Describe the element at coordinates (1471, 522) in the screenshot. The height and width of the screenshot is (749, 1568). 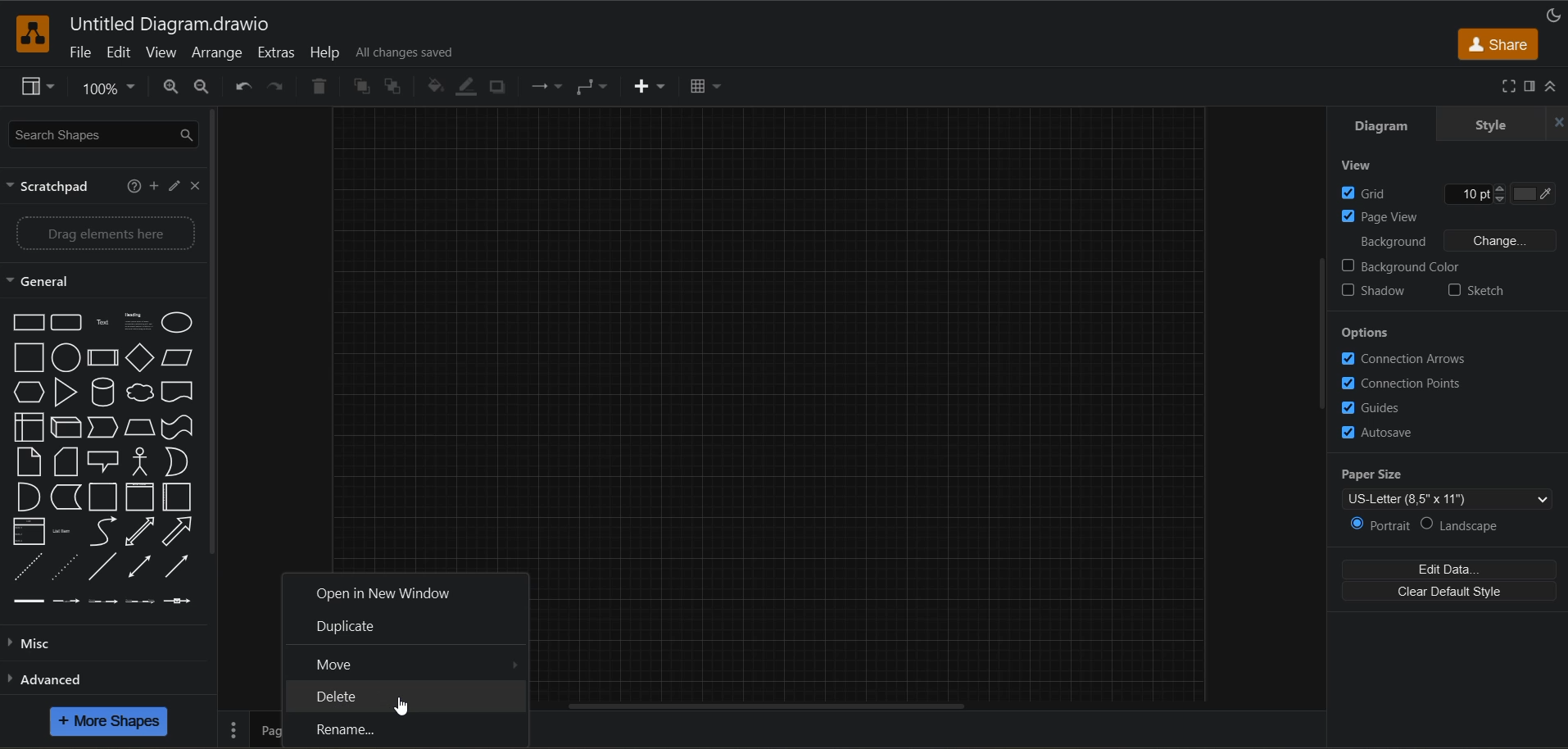
I see `landscape` at that location.